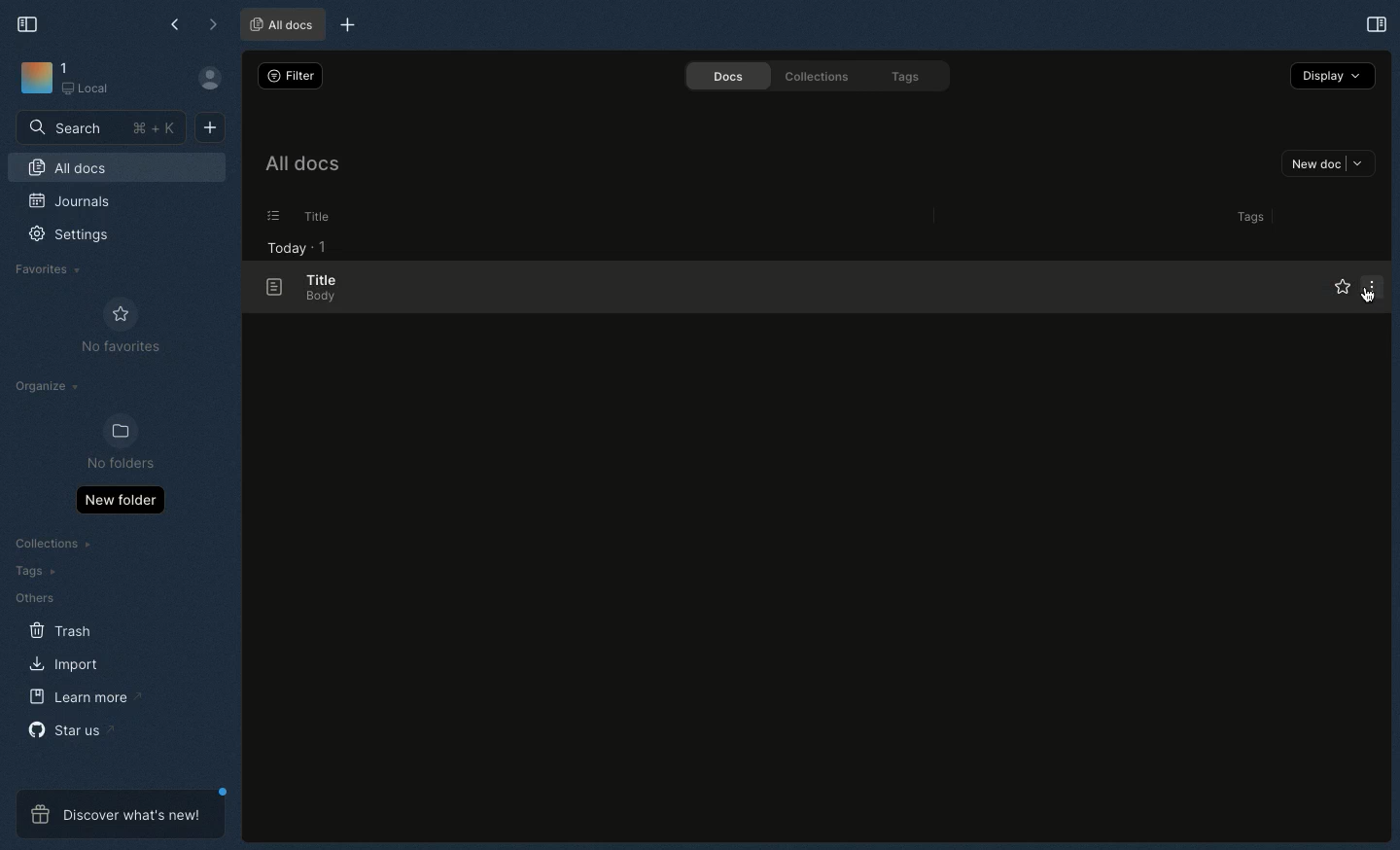  Describe the element at coordinates (720, 76) in the screenshot. I see `Docs` at that location.